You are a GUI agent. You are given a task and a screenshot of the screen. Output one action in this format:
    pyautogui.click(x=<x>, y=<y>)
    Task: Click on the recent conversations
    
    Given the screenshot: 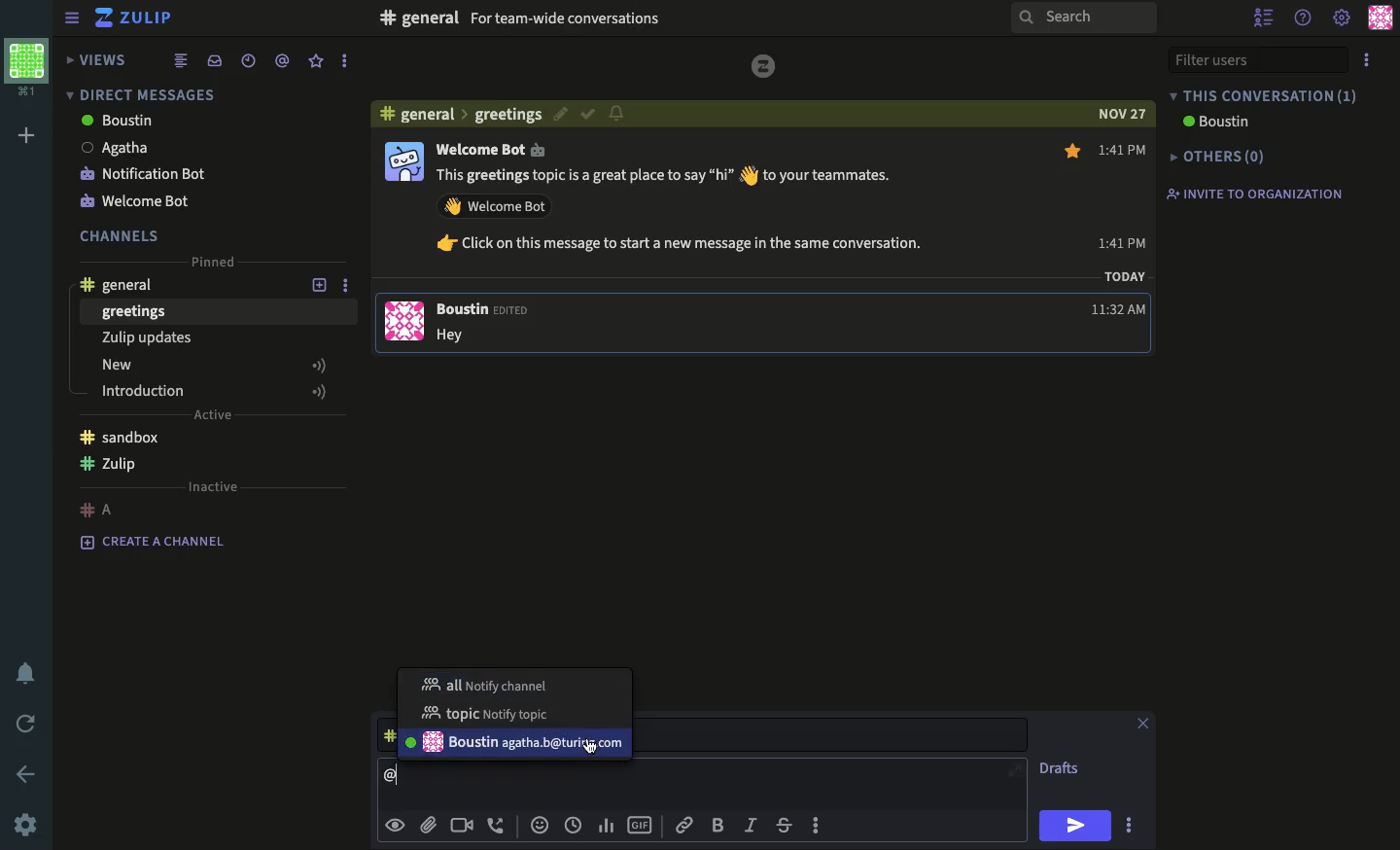 What is the action you would take?
    pyautogui.click(x=249, y=61)
    